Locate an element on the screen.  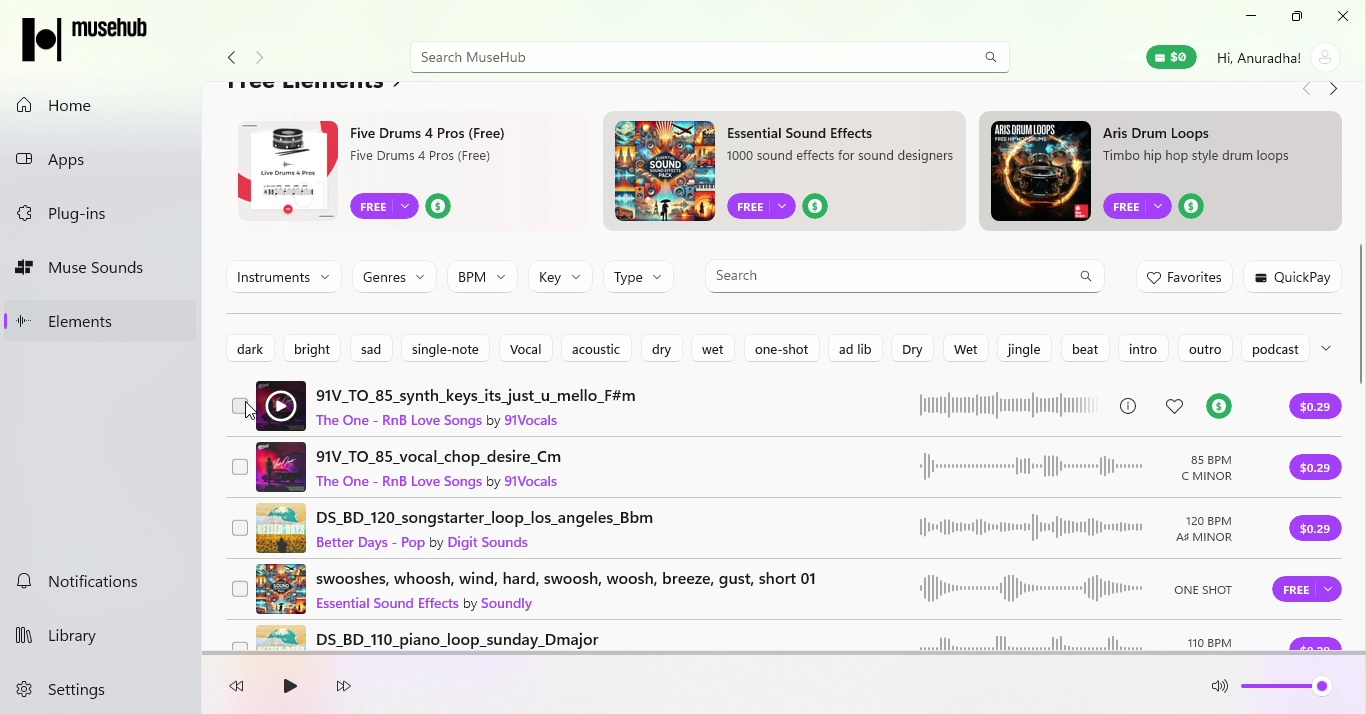
DS_BD_120_songstarter_loop_los_angeles_bbm is located at coordinates (755, 527).